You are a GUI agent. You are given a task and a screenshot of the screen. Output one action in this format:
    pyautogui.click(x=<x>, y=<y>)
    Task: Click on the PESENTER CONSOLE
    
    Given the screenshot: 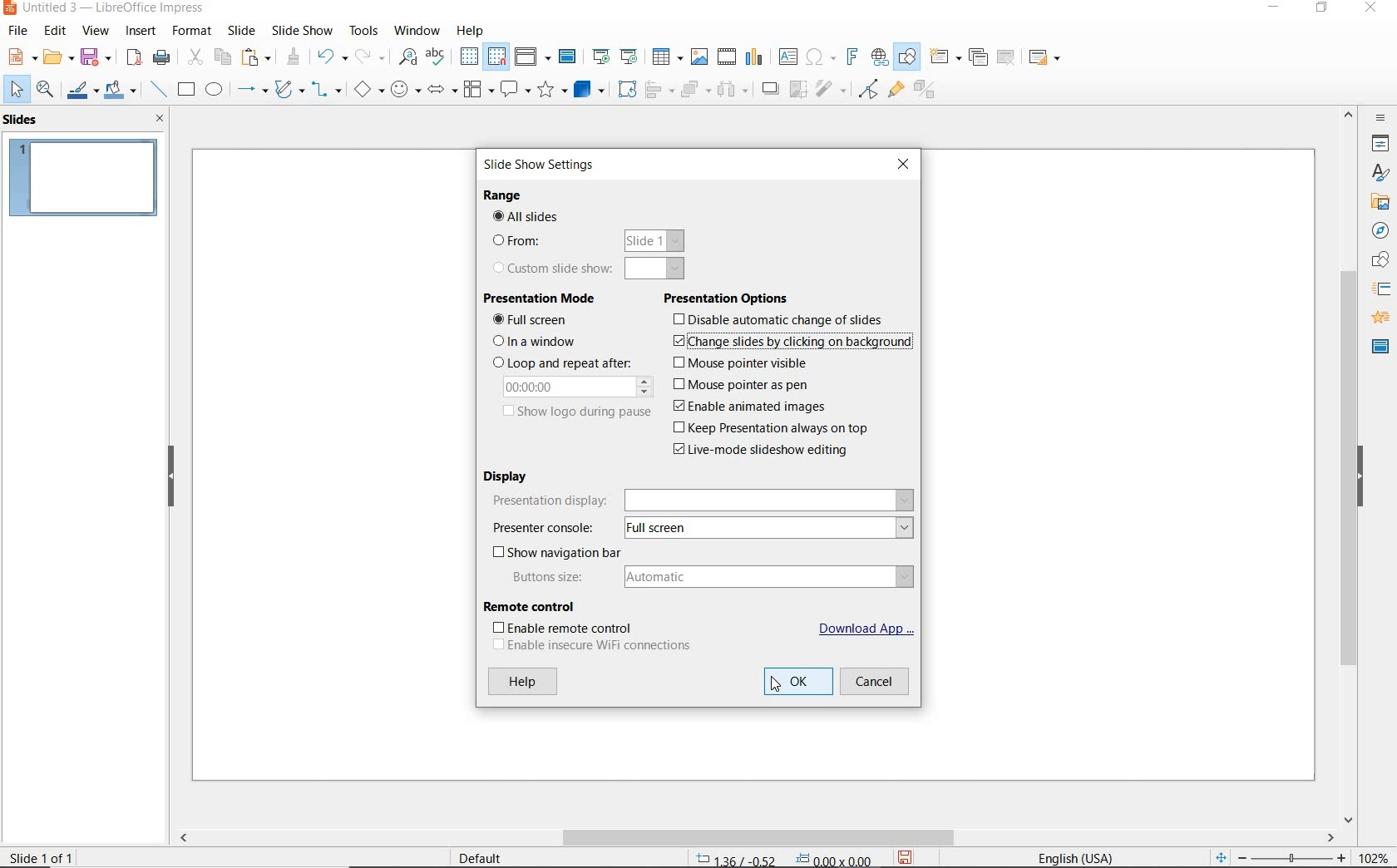 What is the action you would take?
    pyautogui.click(x=699, y=528)
    